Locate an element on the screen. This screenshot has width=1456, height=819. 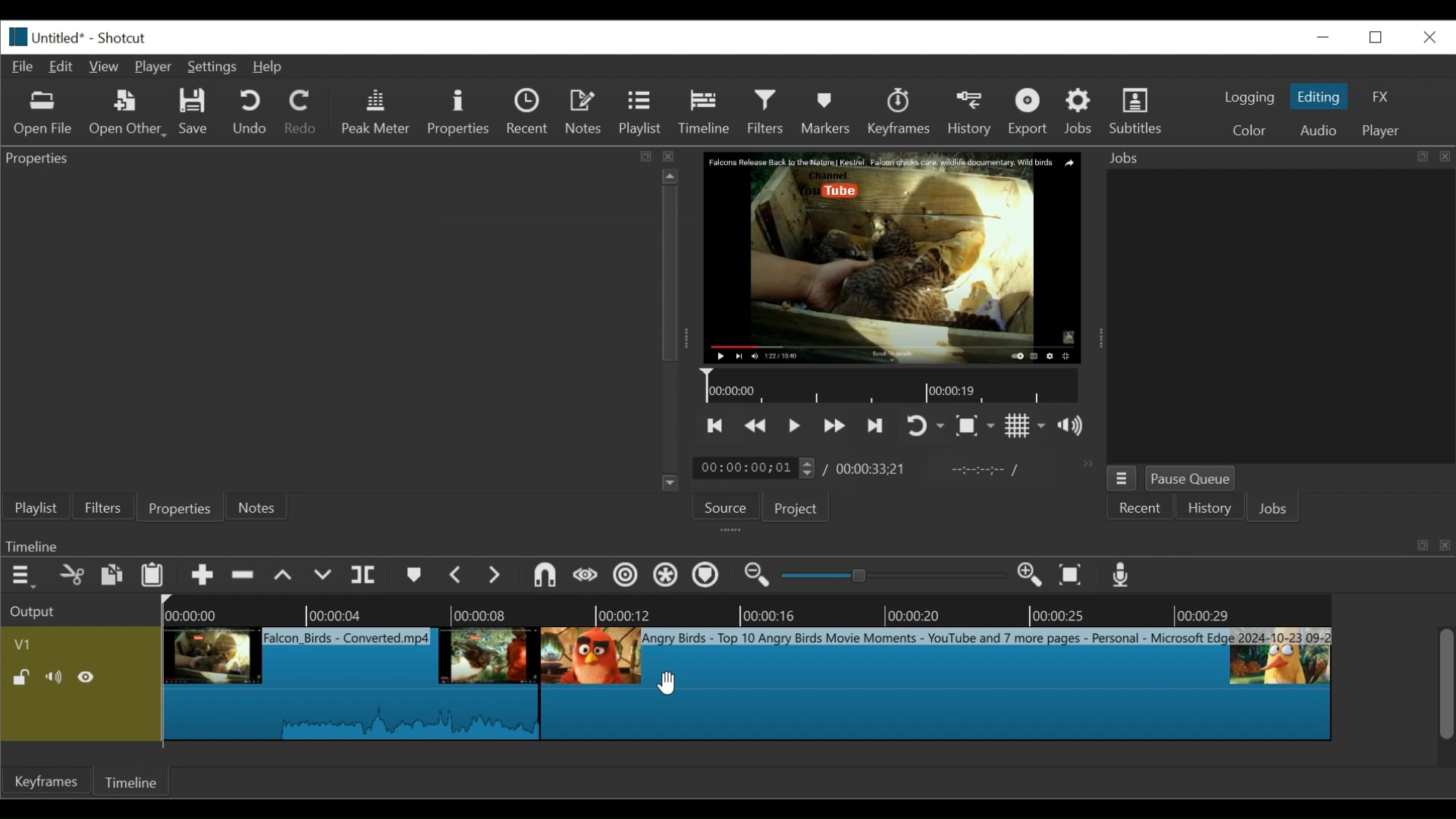
Redo is located at coordinates (303, 113).